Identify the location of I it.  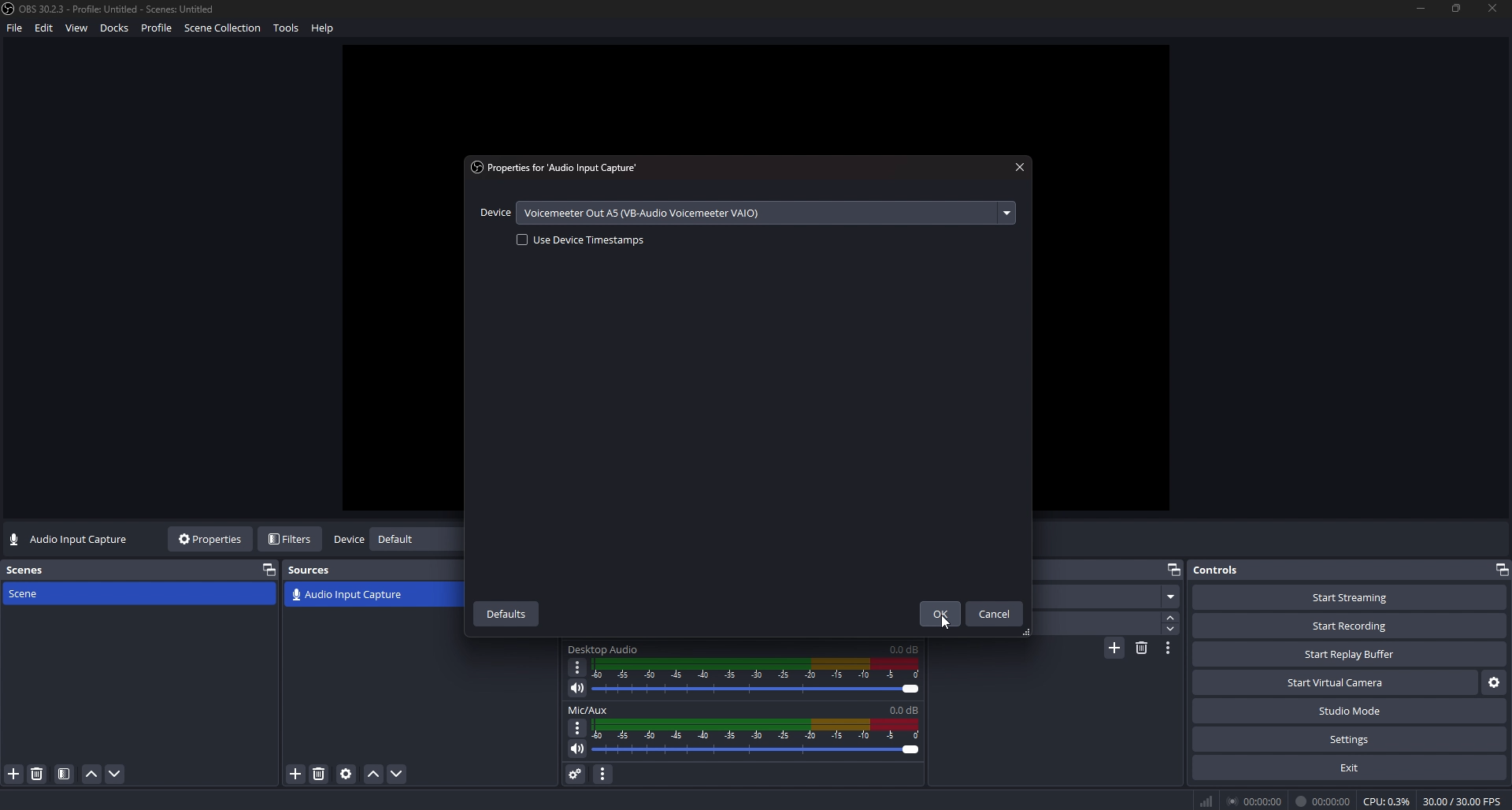
(1325, 801).